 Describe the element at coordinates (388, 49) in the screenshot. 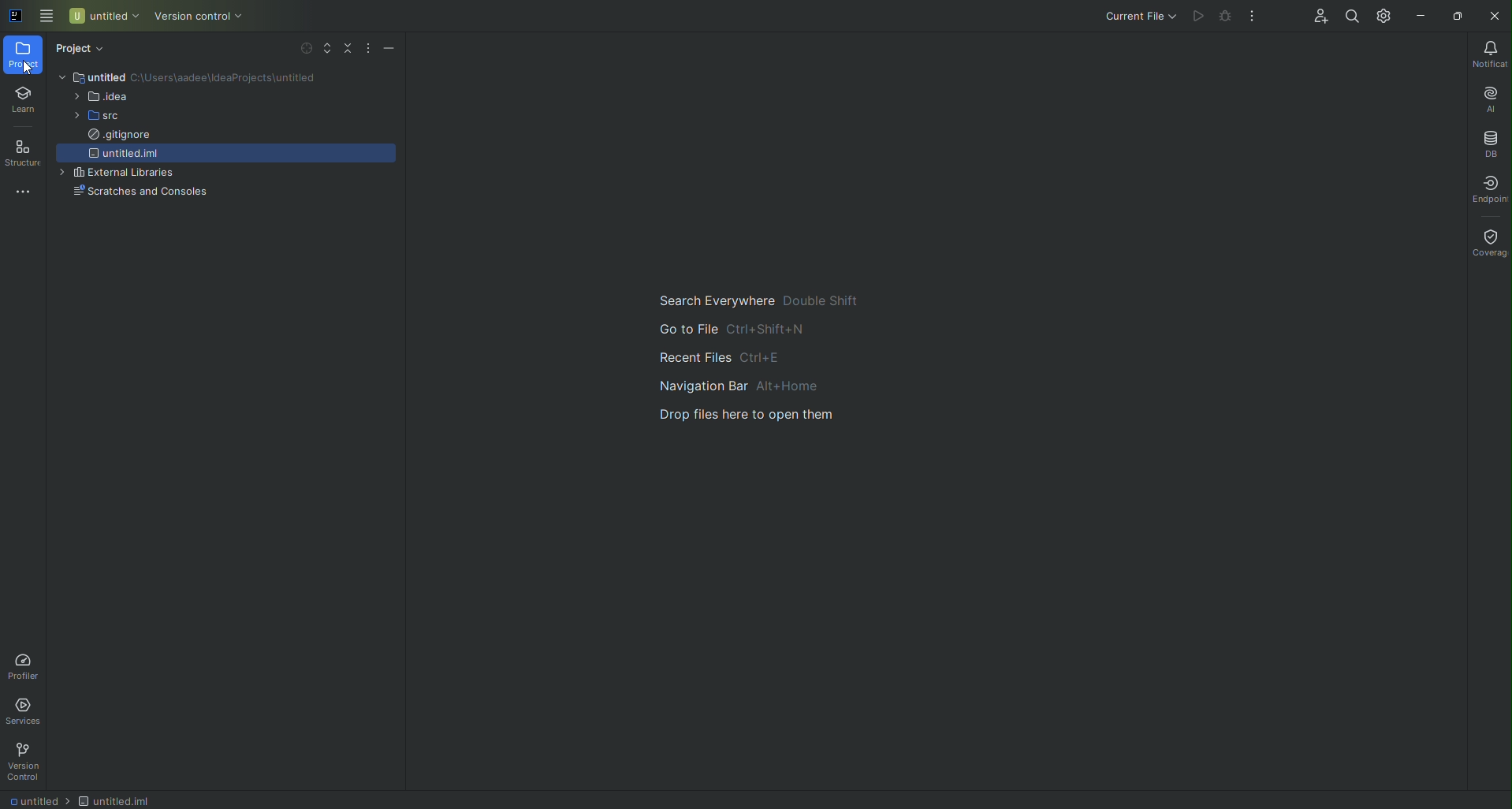

I see `Hide` at that location.